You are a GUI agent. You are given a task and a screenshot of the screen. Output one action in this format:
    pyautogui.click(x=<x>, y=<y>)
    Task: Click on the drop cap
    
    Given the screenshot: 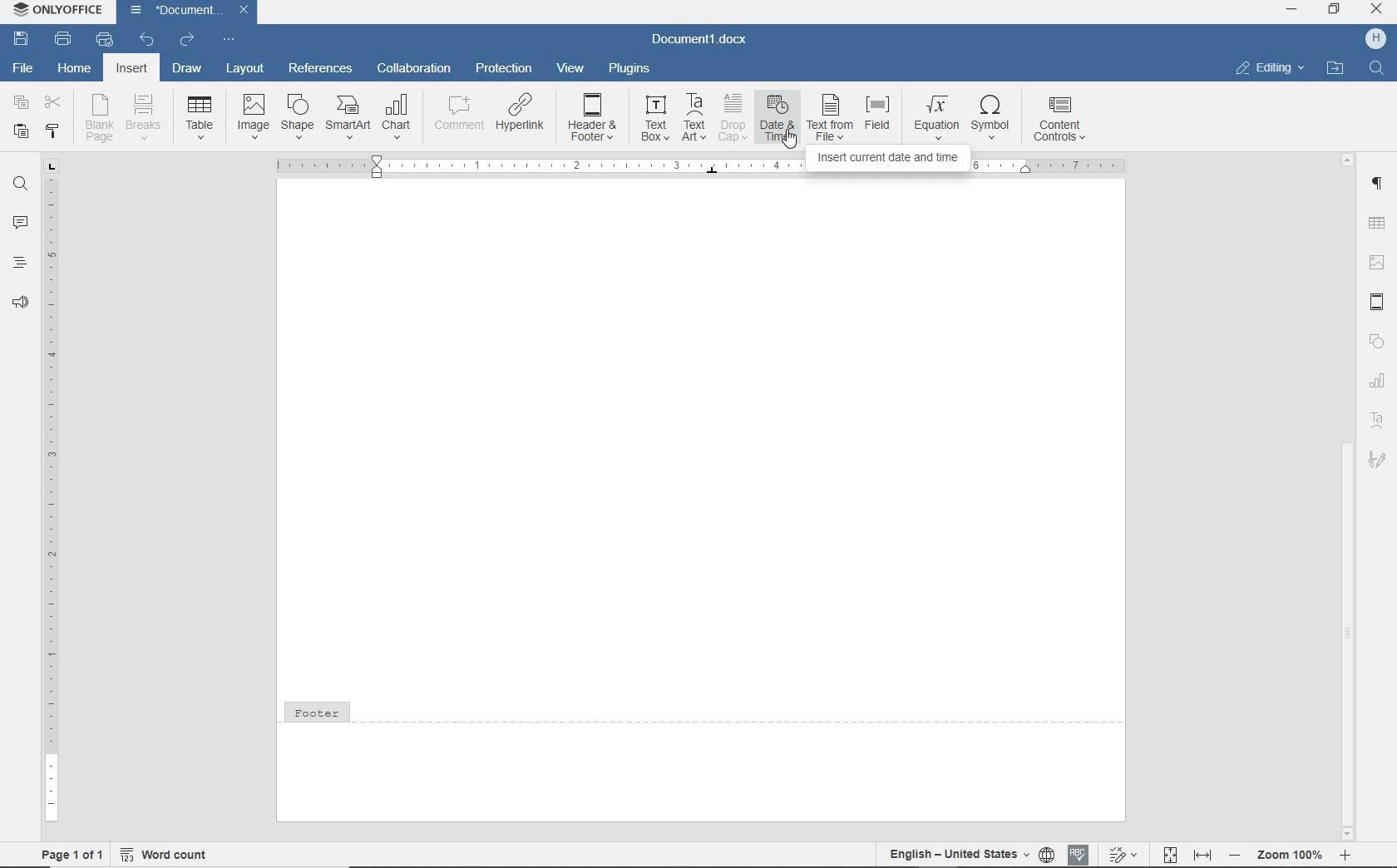 What is the action you would take?
    pyautogui.click(x=733, y=117)
    